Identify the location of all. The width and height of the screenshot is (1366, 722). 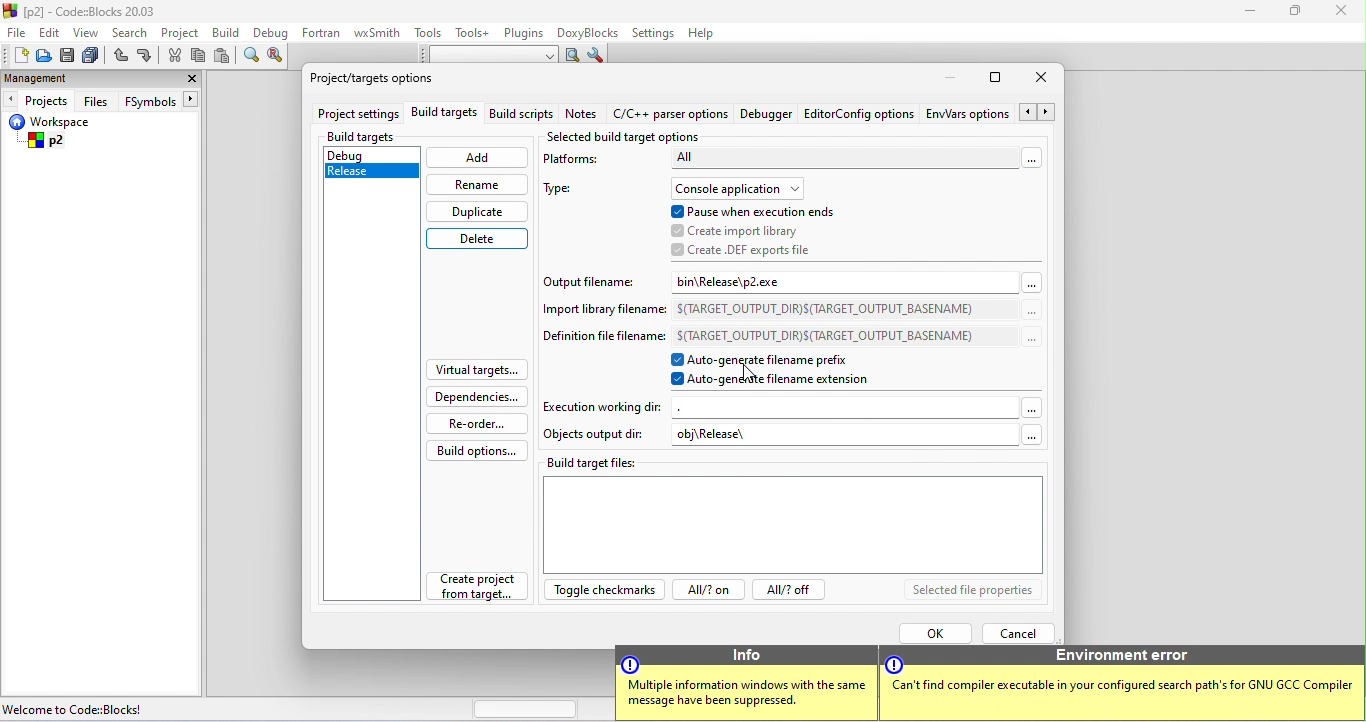
(855, 162).